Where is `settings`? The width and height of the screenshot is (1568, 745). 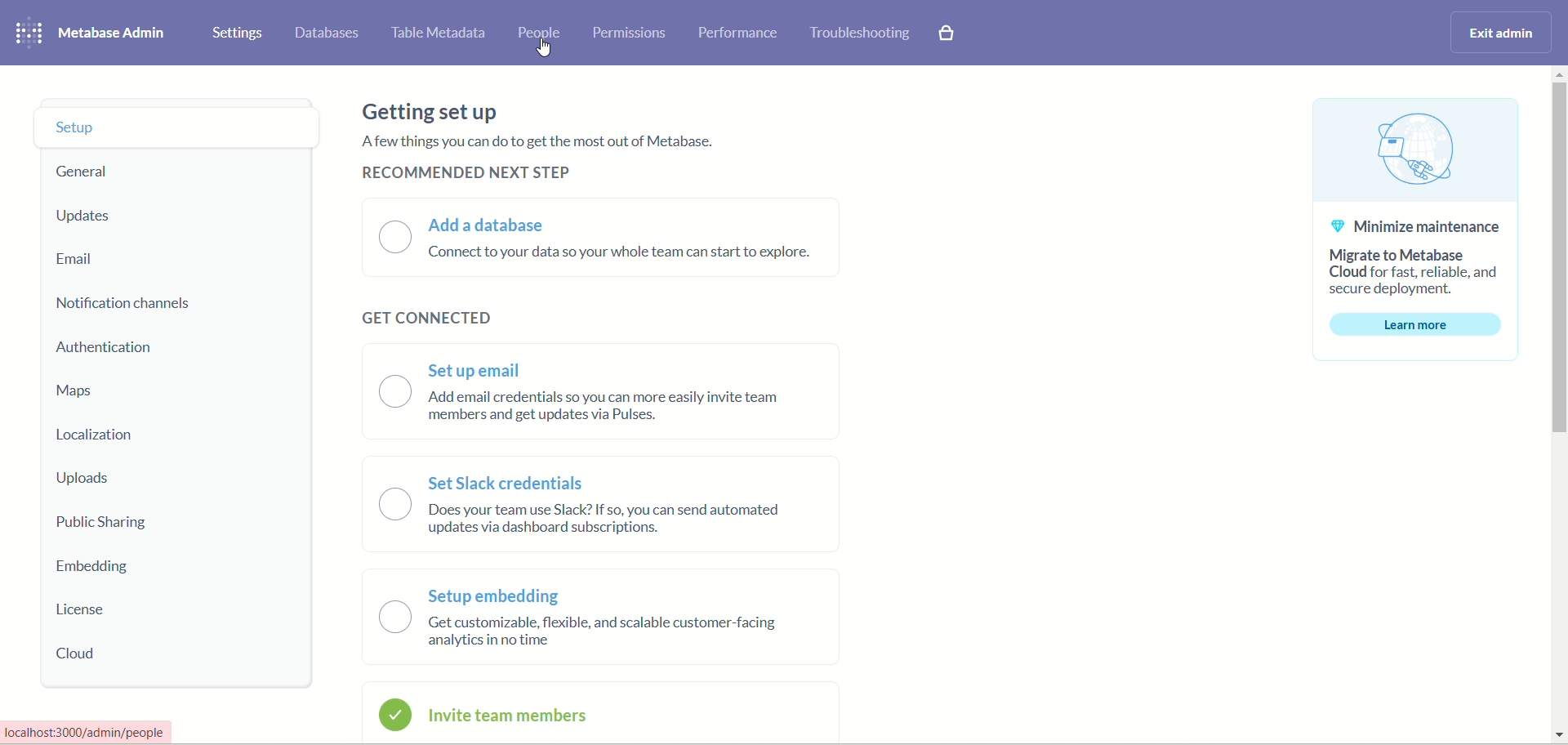
settings is located at coordinates (238, 34).